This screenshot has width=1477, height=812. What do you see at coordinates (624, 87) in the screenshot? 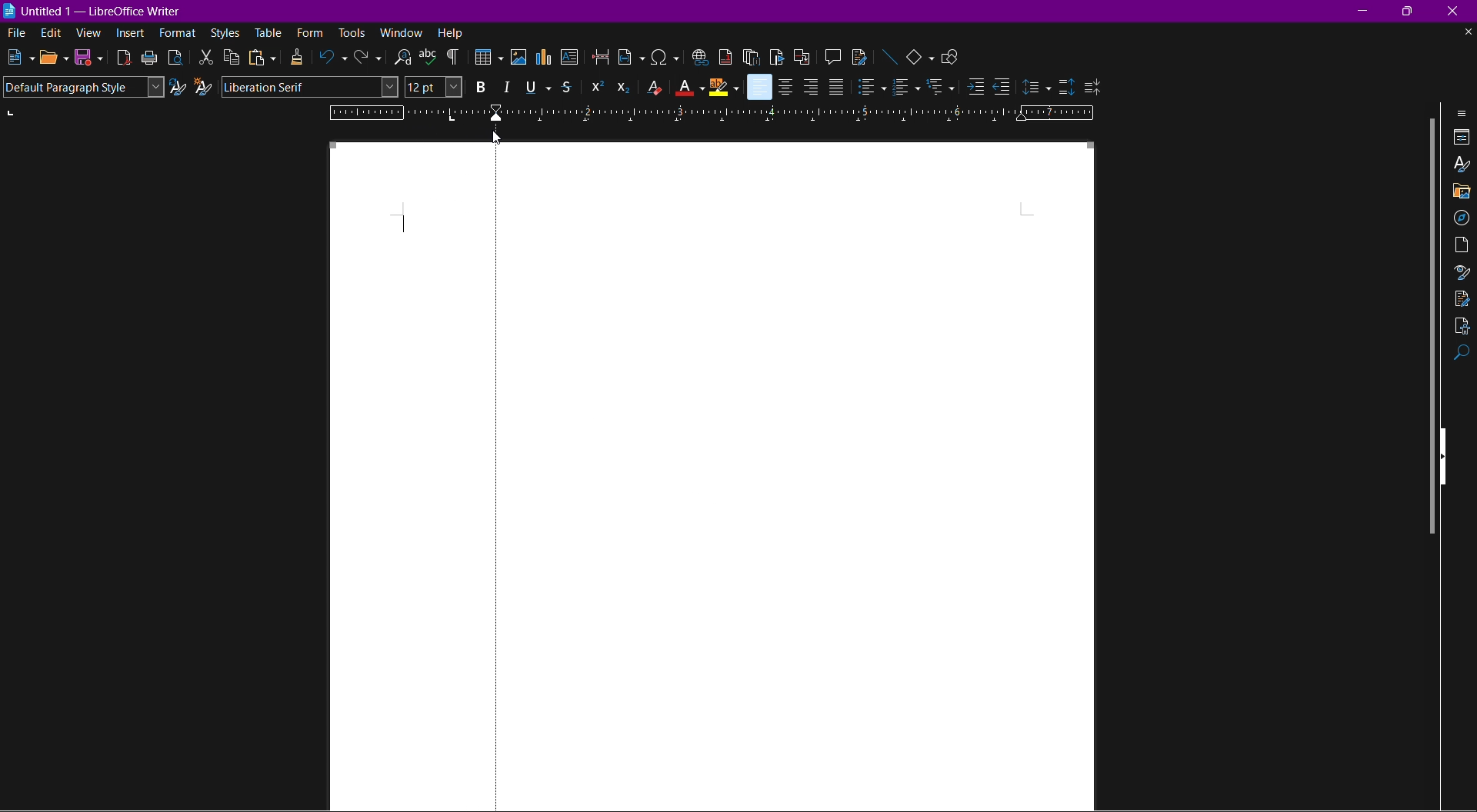
I see `Subscript` at bounding box center [624, 87].